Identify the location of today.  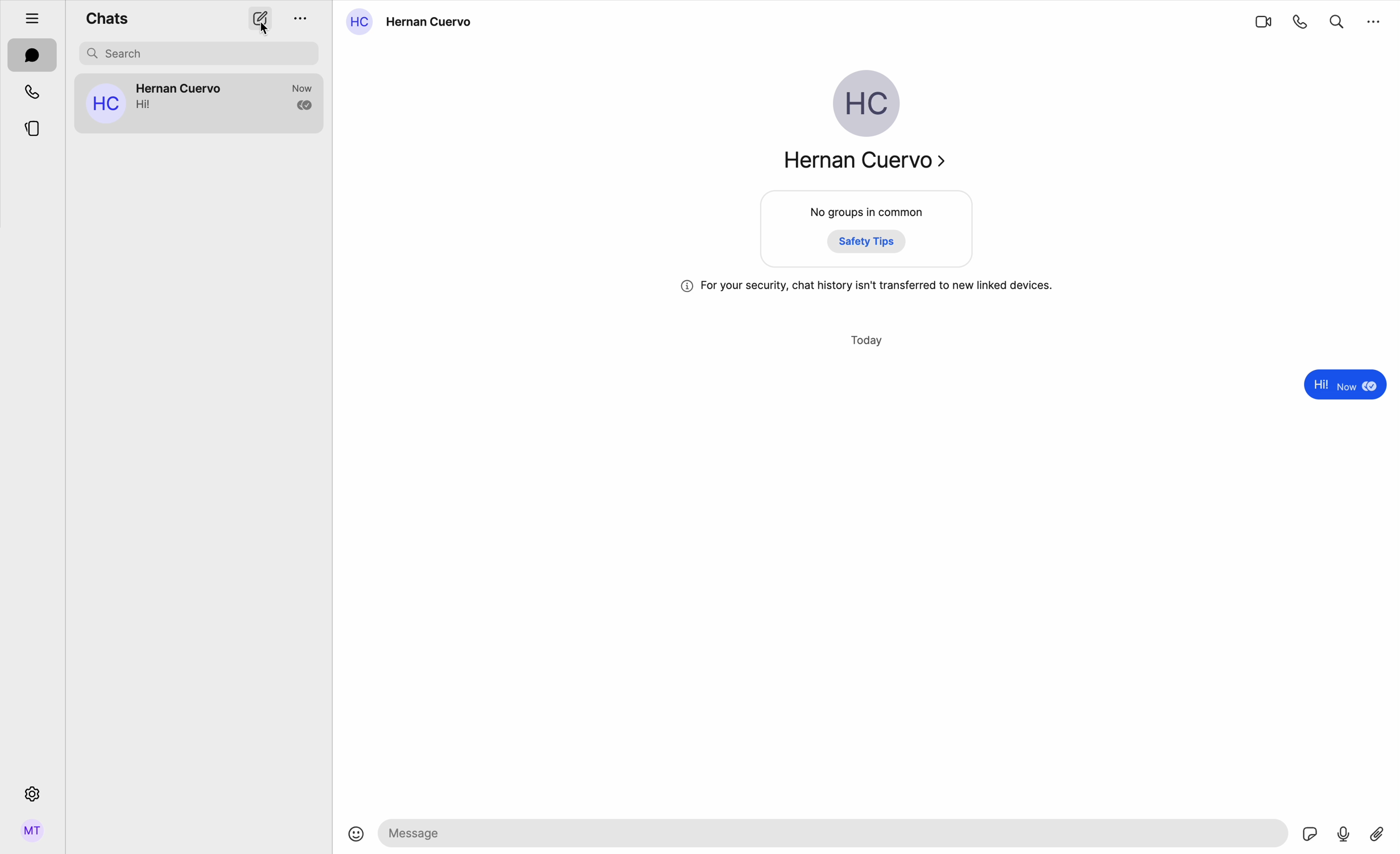
(868, 341).